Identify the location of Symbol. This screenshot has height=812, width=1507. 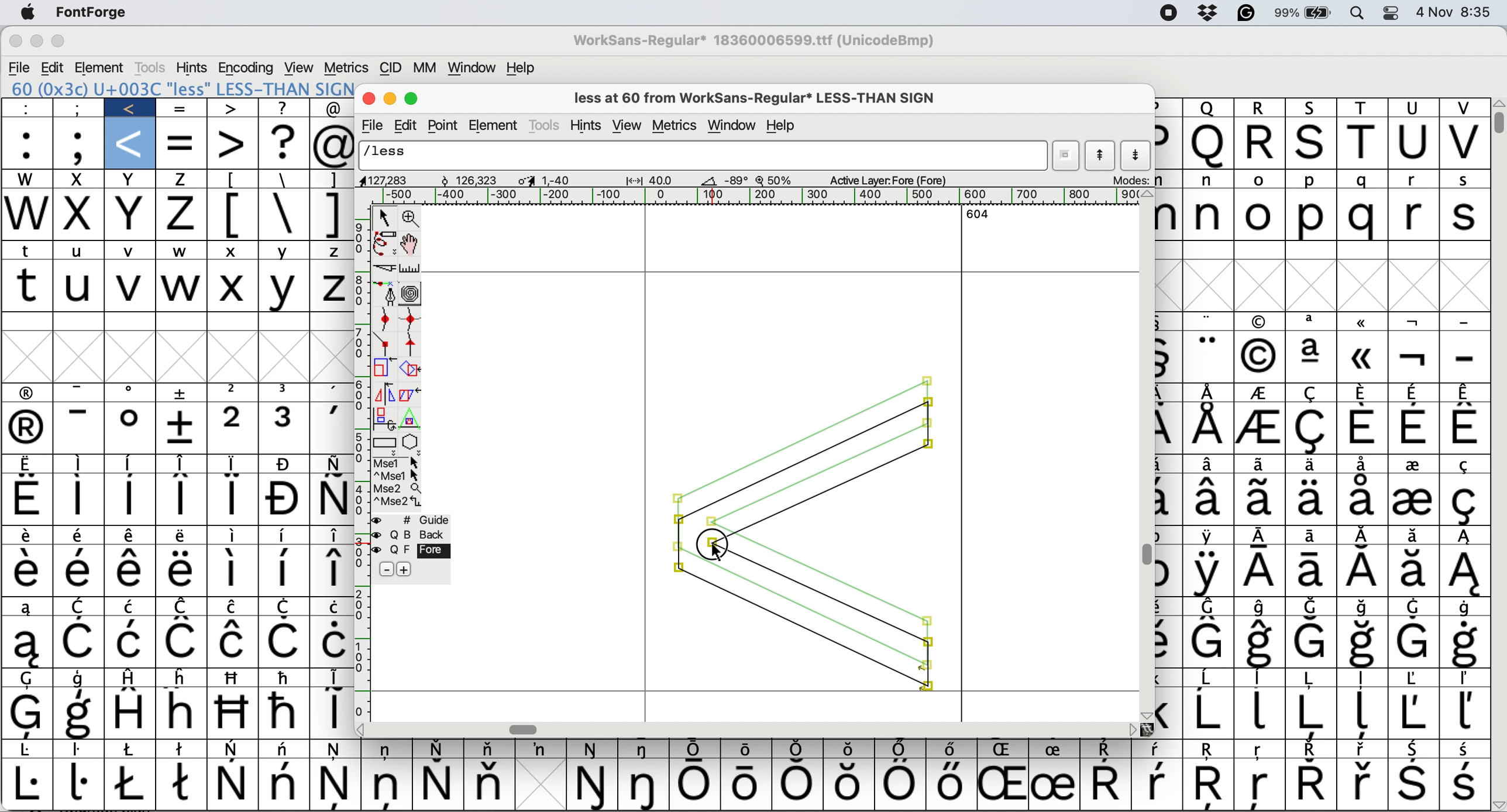
(1208, 751).